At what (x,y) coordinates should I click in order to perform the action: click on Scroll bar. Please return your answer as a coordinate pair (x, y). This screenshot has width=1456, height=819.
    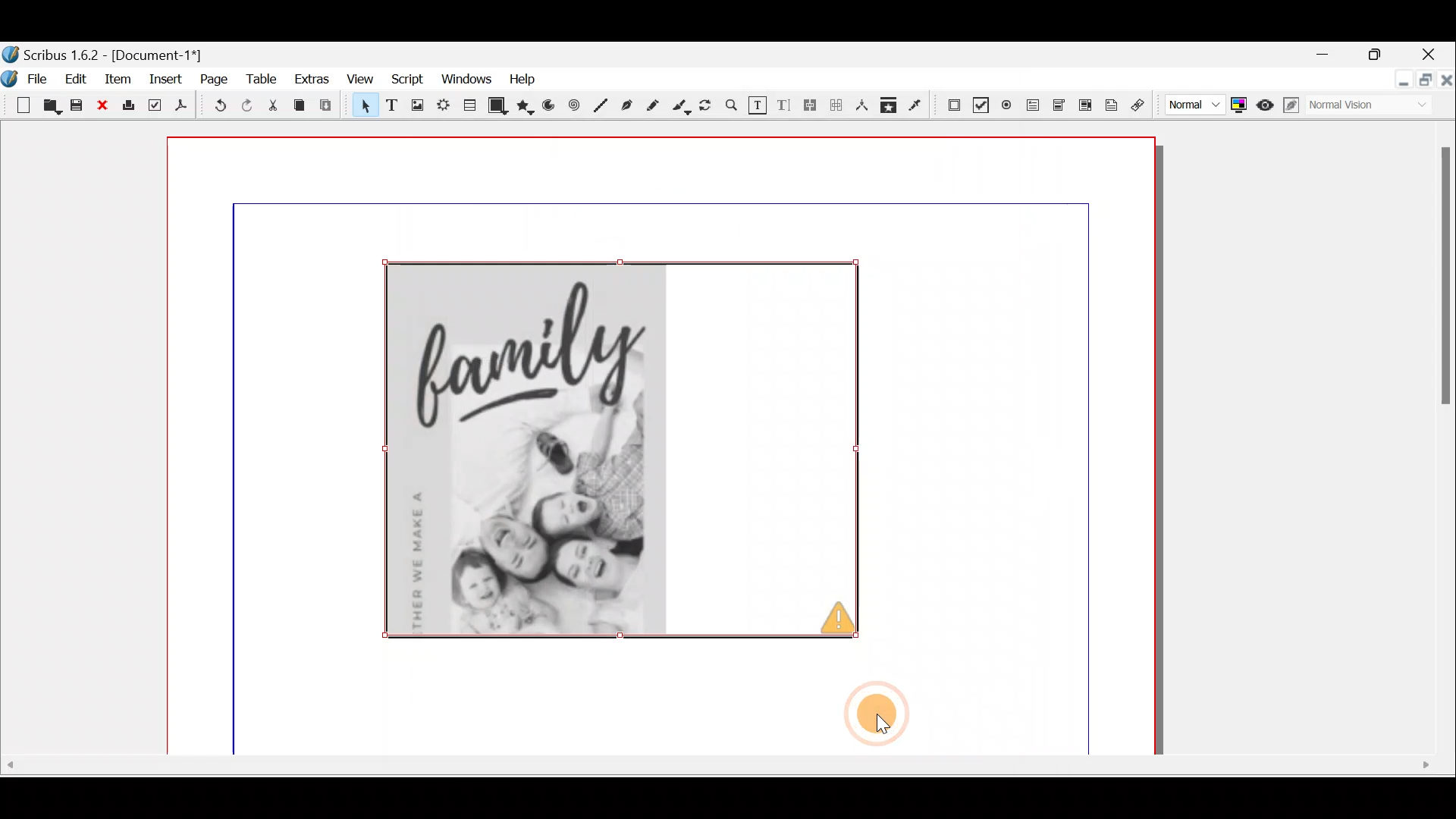
    Looking at the image, I should click on (1436, 437).